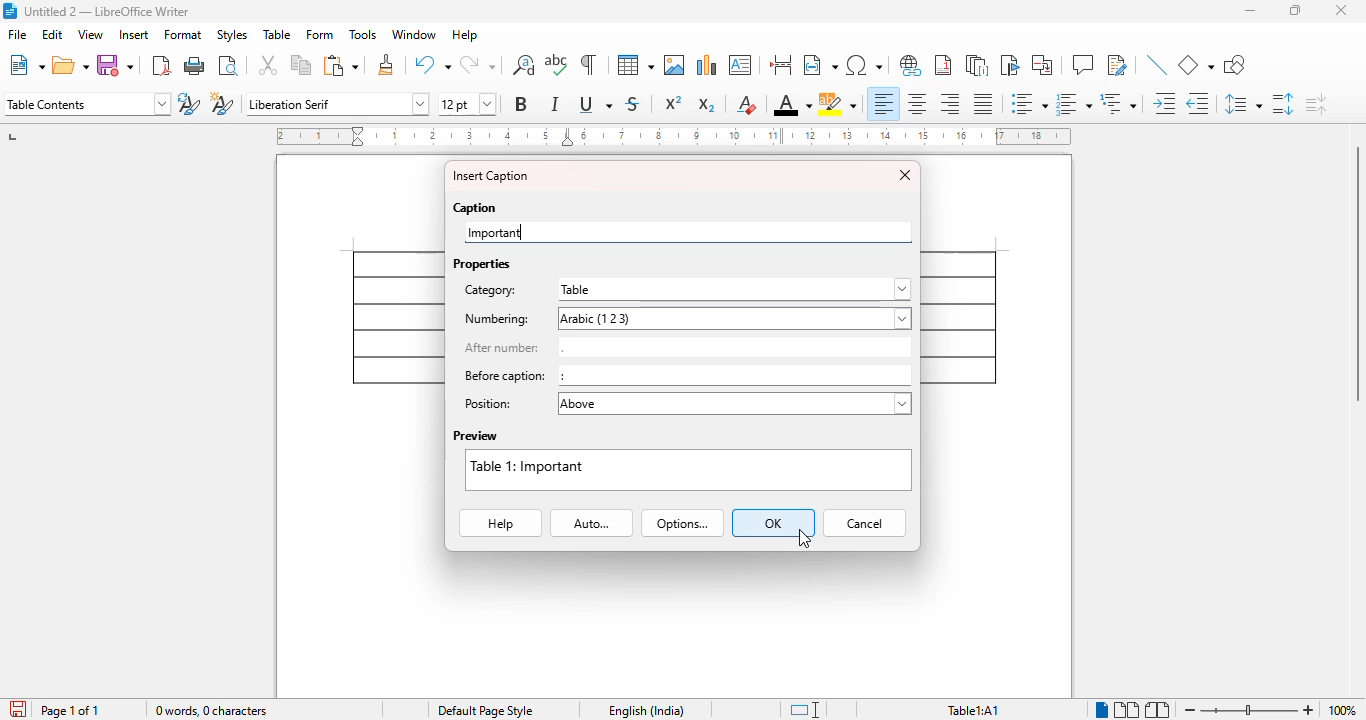 The height and width of the screenshot is (720, 1366). I want to click on file, so click(17, 34).